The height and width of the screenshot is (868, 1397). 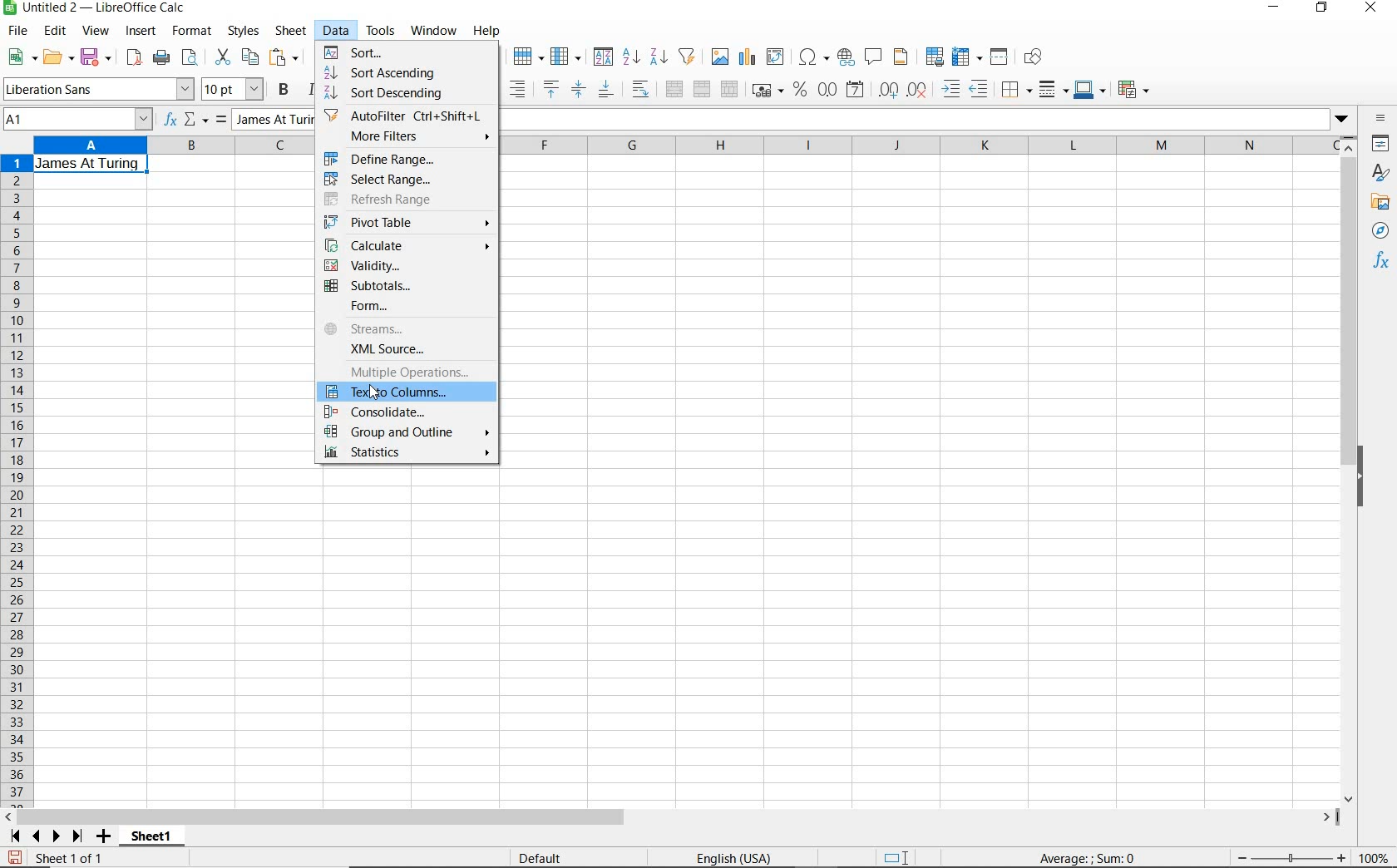 I want to click on data, so click(x=337, y=31).